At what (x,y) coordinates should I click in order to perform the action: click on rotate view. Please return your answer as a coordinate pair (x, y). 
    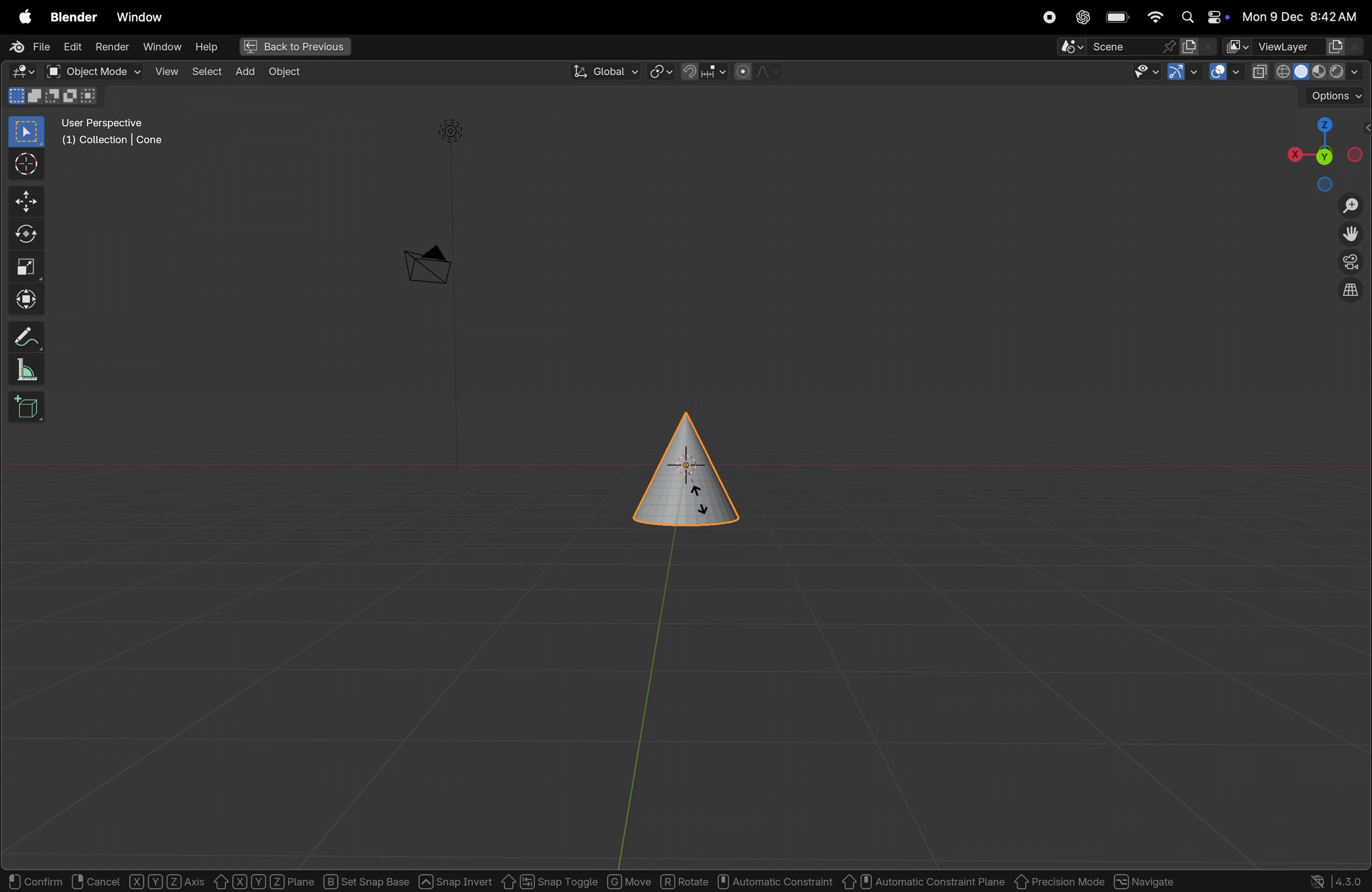
    Looking at the image, I should click on (91, 882).